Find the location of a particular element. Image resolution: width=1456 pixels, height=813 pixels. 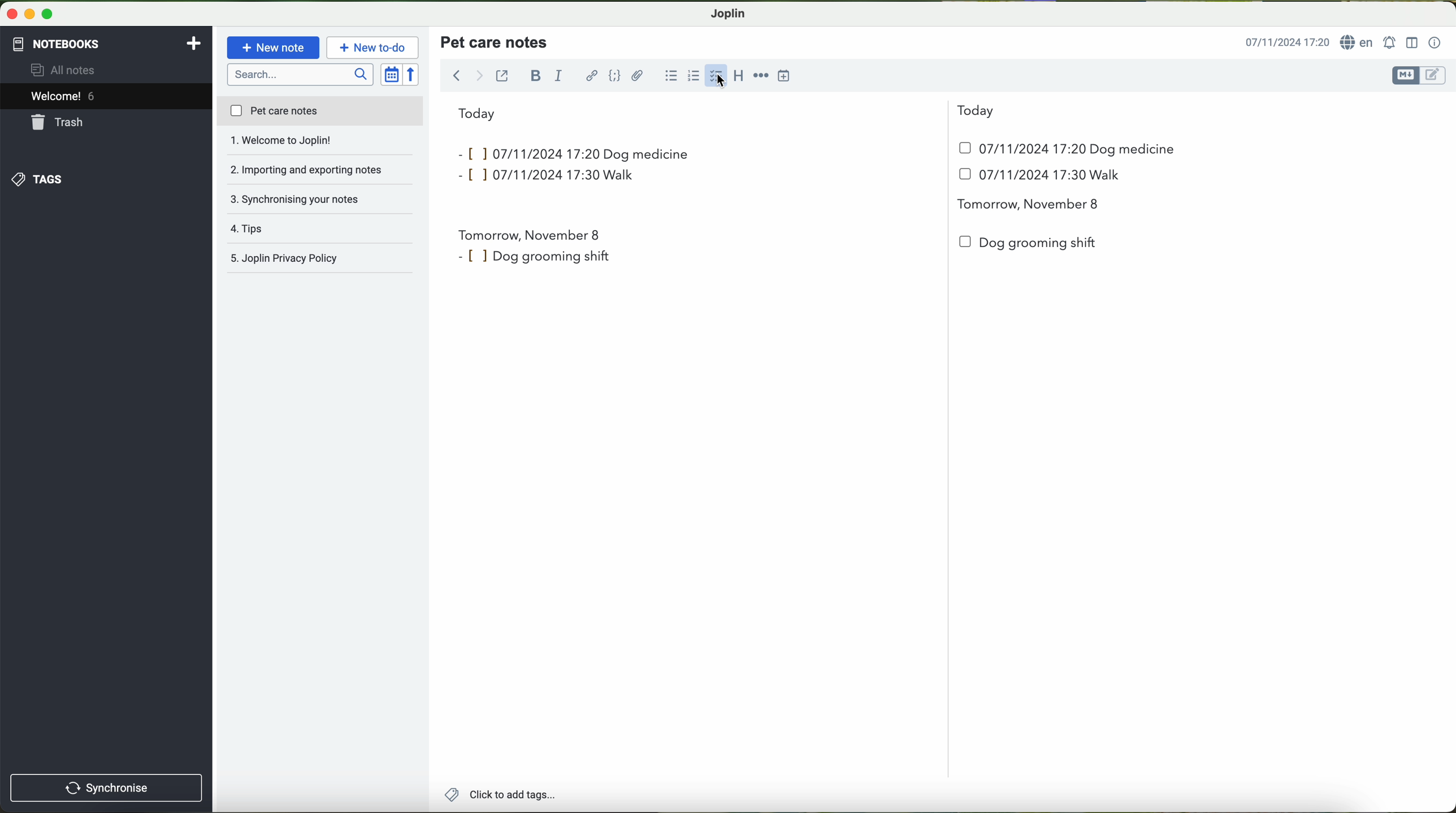

inputs is located at coordinates (524, 153).